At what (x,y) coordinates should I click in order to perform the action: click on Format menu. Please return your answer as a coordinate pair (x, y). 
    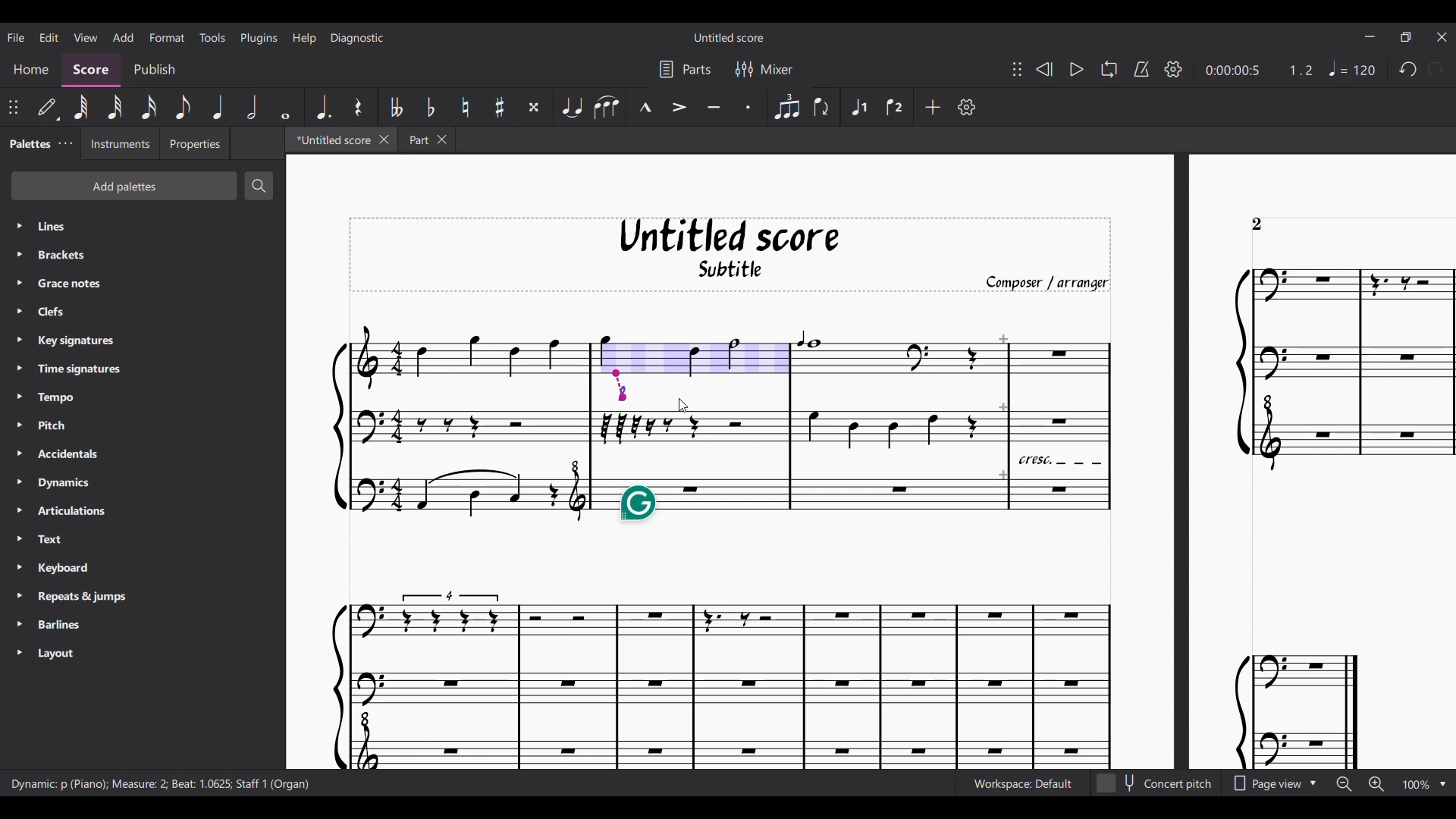
    Looking at the image, I should click on (167, 37).